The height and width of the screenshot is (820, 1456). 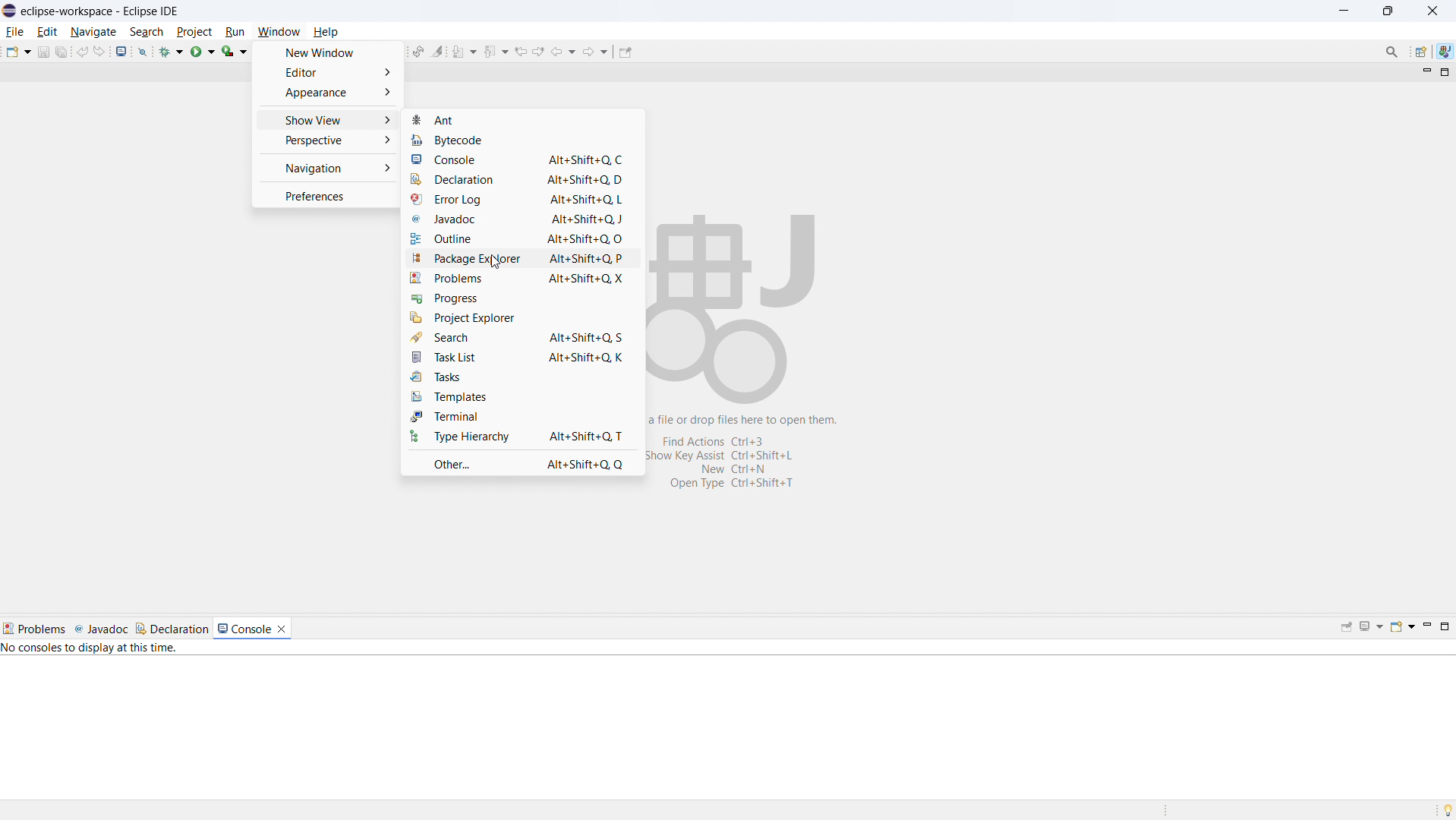 I want to click on new, so click(x=17, y=52).